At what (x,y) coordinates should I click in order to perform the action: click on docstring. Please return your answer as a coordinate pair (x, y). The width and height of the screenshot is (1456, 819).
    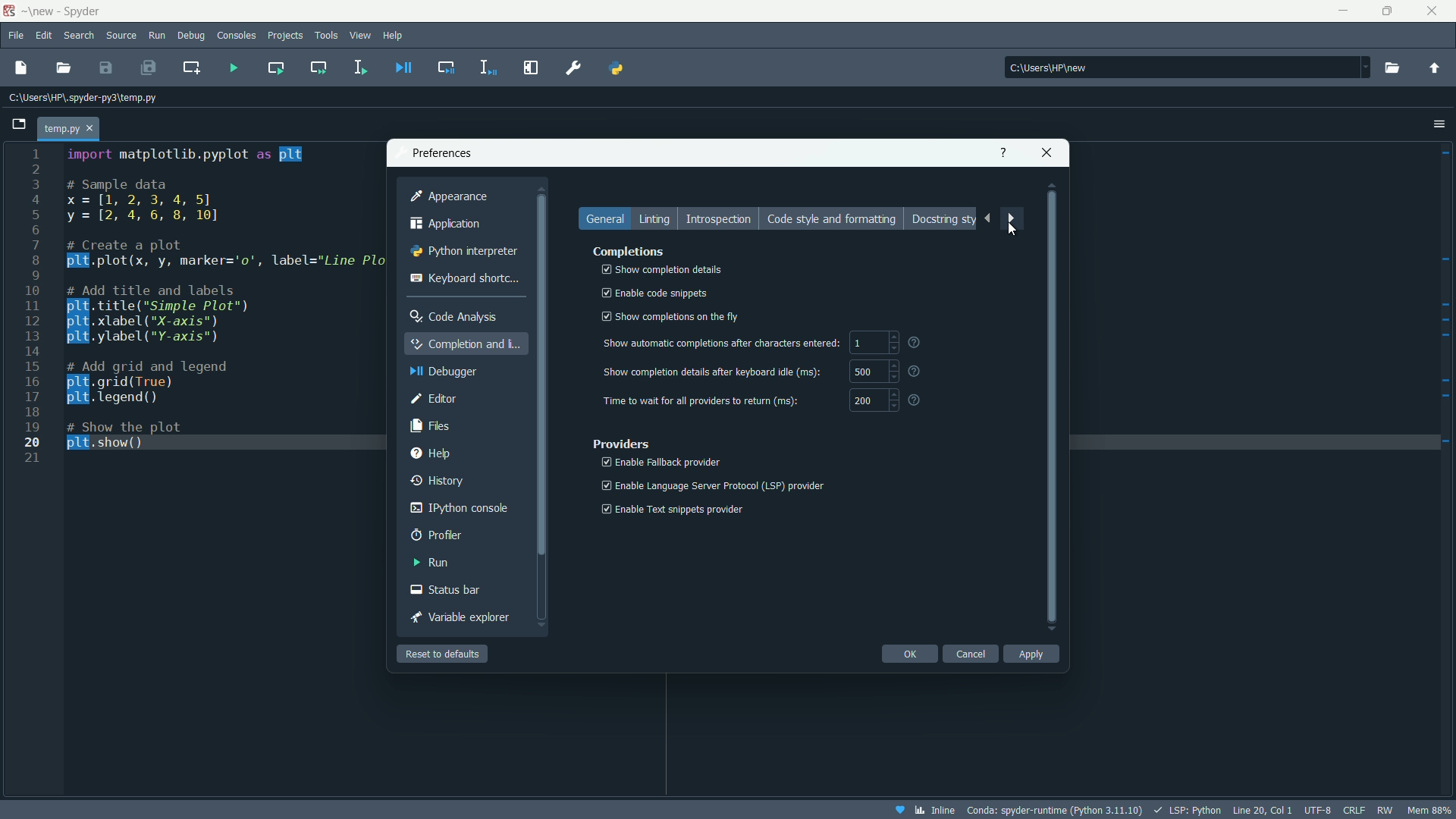
    Looking at the image, I should click on (941, 219).